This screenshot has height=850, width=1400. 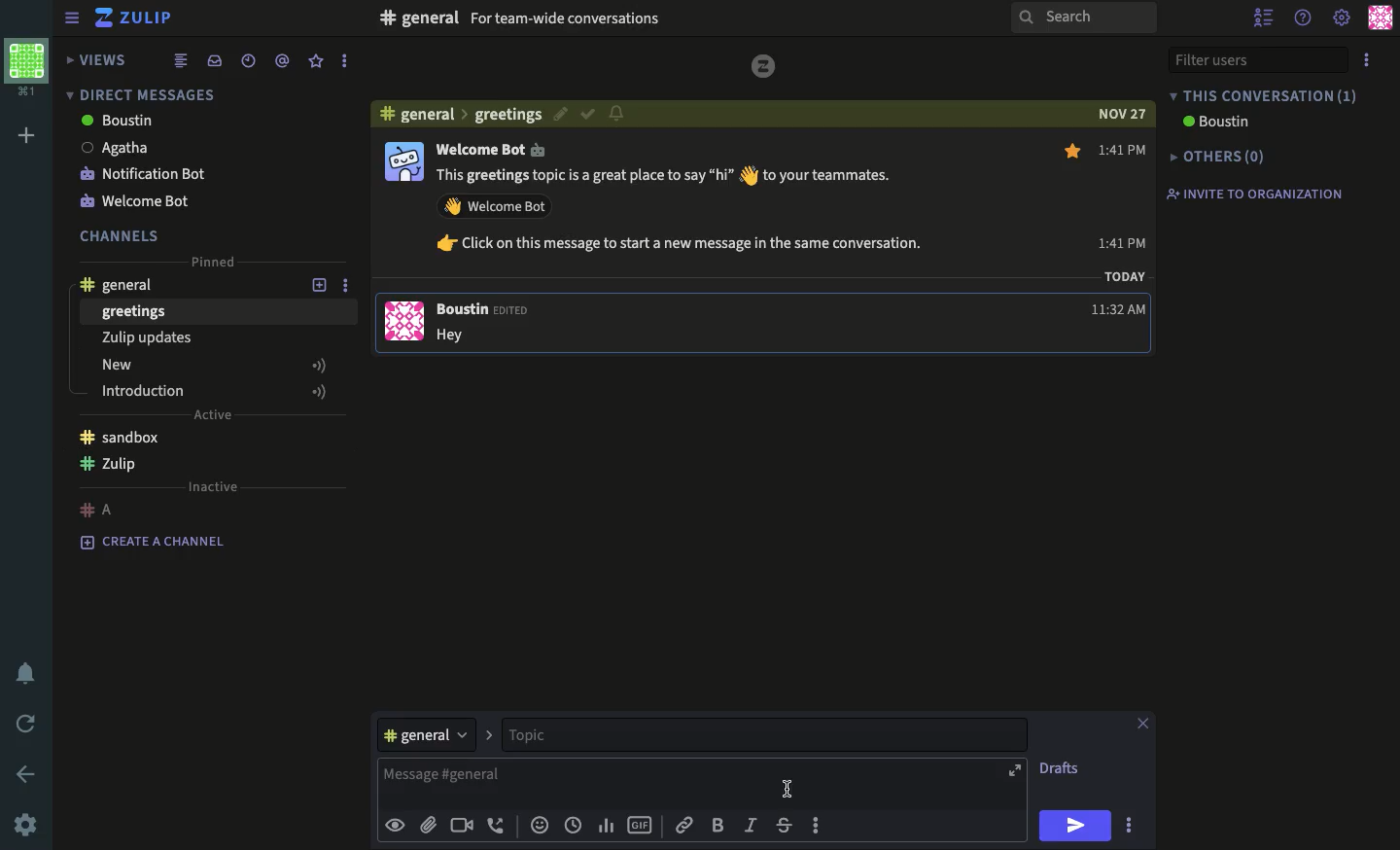 What do you see at coordinates (317, 61) in the screenshot?
I see `favorite` at bounding box center [317, 61].